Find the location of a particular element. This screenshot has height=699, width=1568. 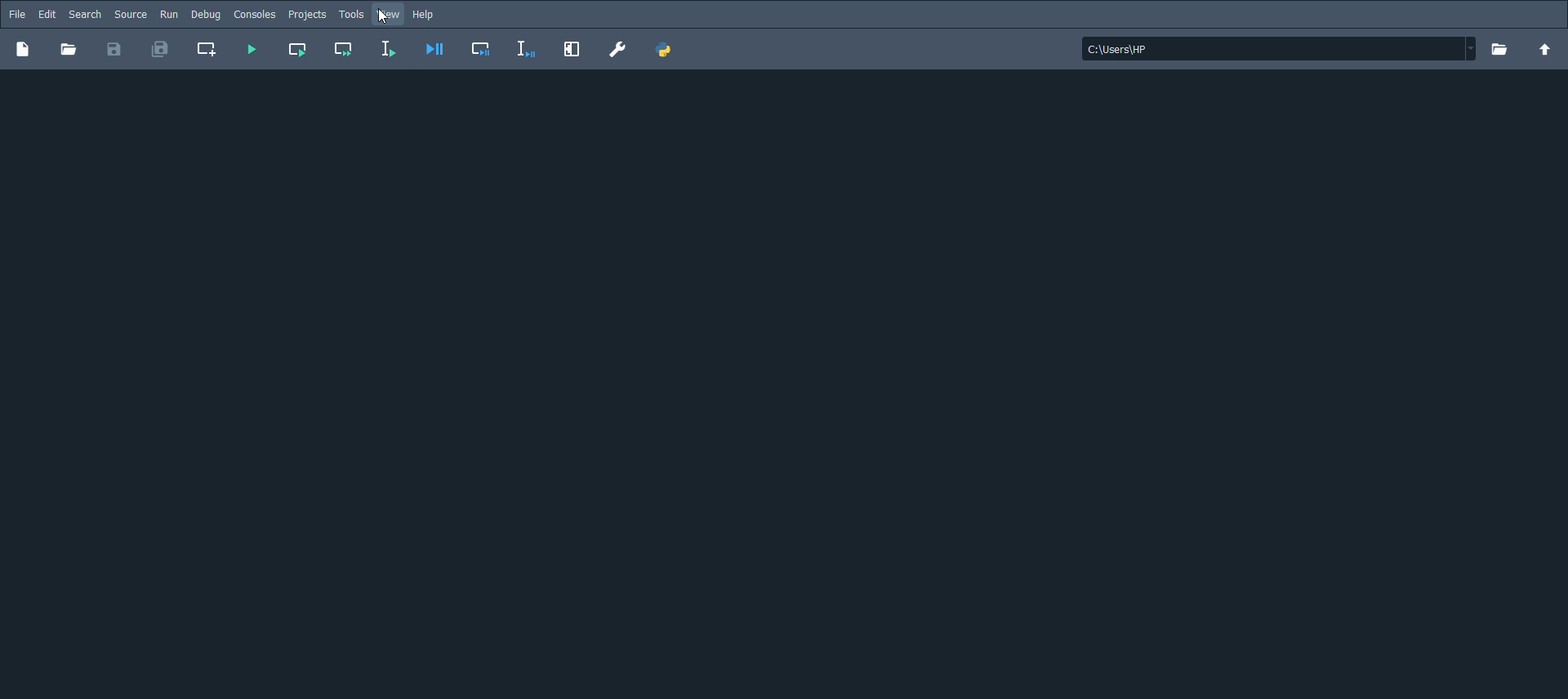

consoles is located at coordinates (254, 14).